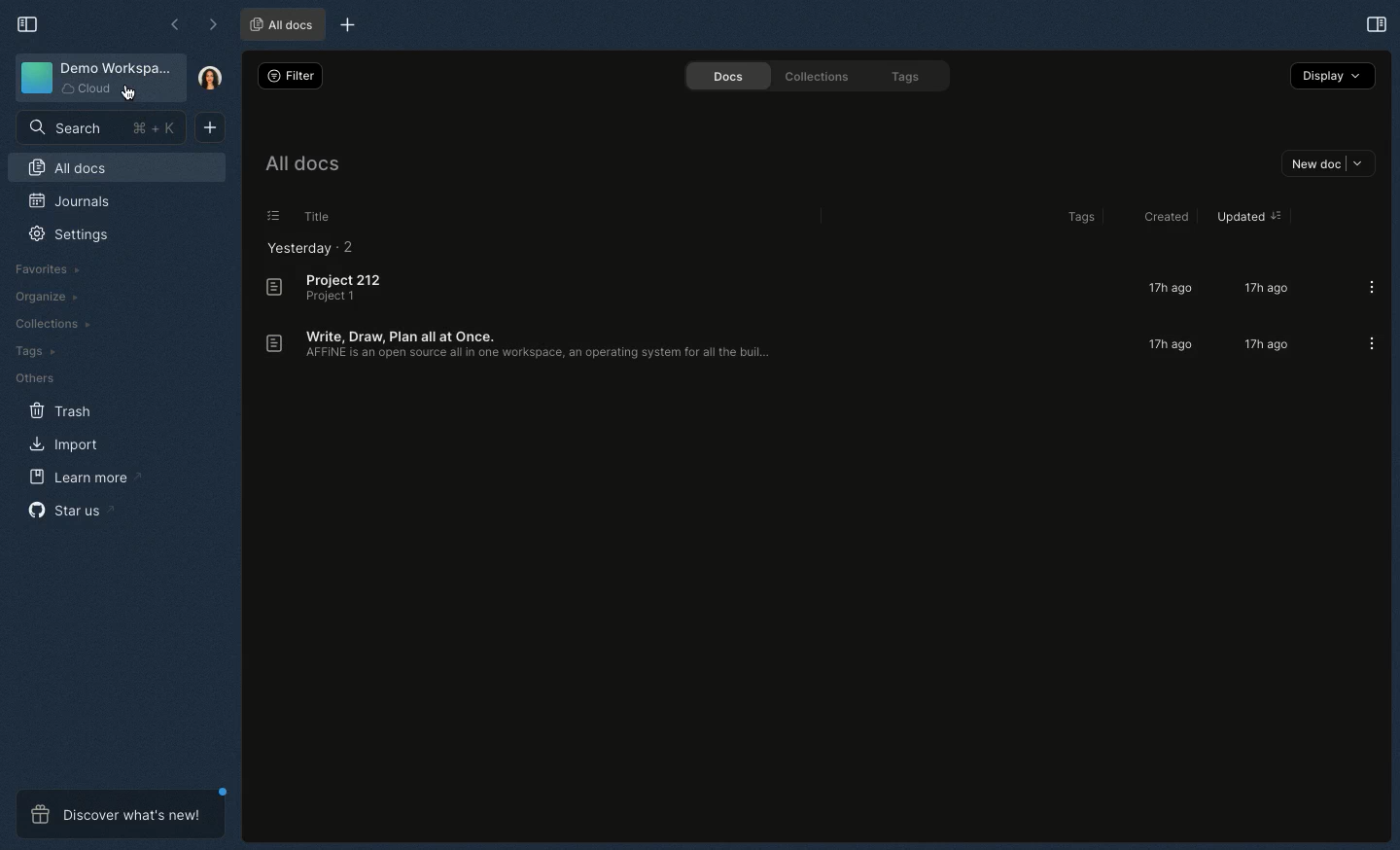 The image size is (1400, 850). I want to click on Search, so click(98, 127).